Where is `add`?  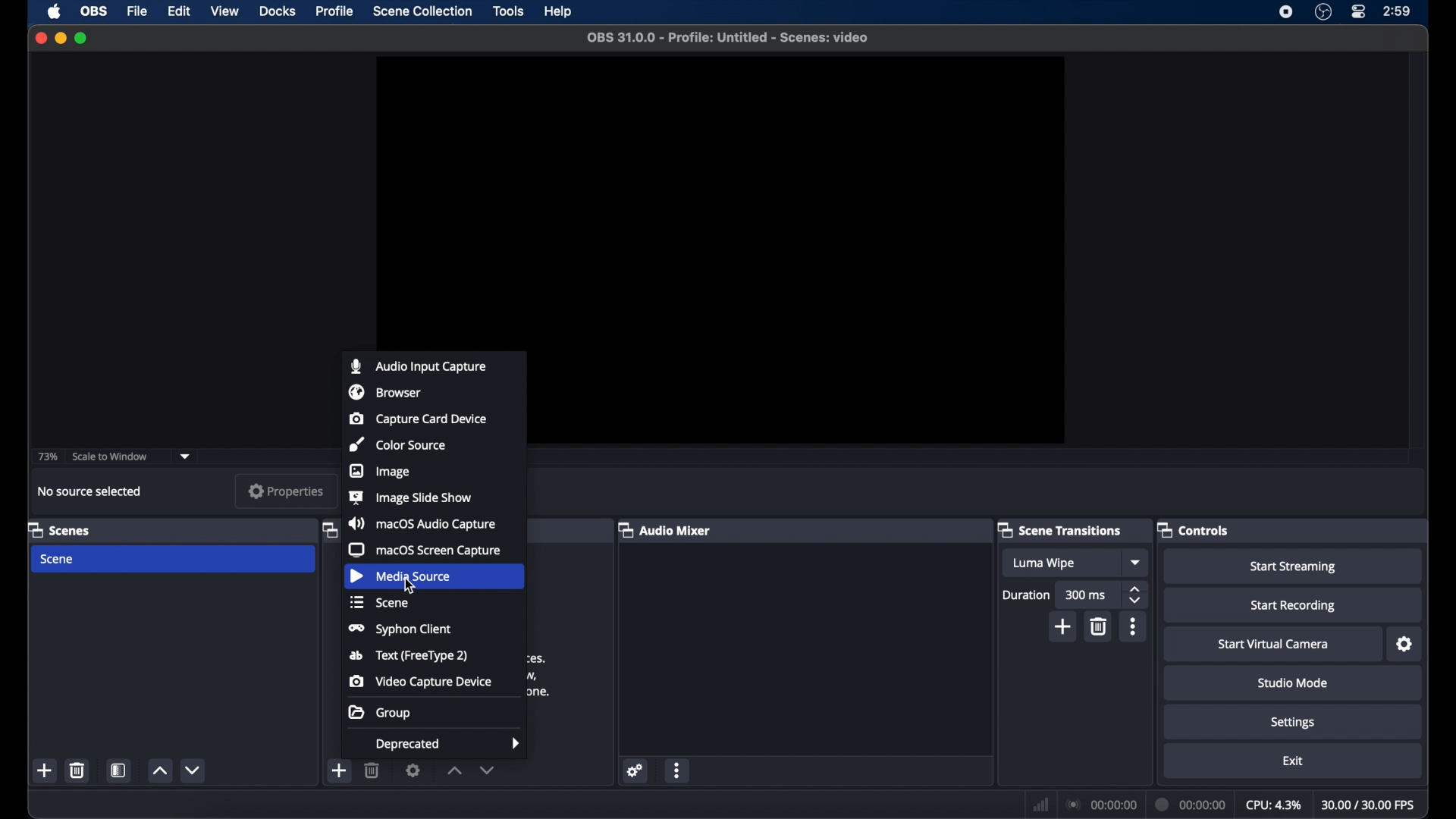 add is located at coordinates (340, 770).